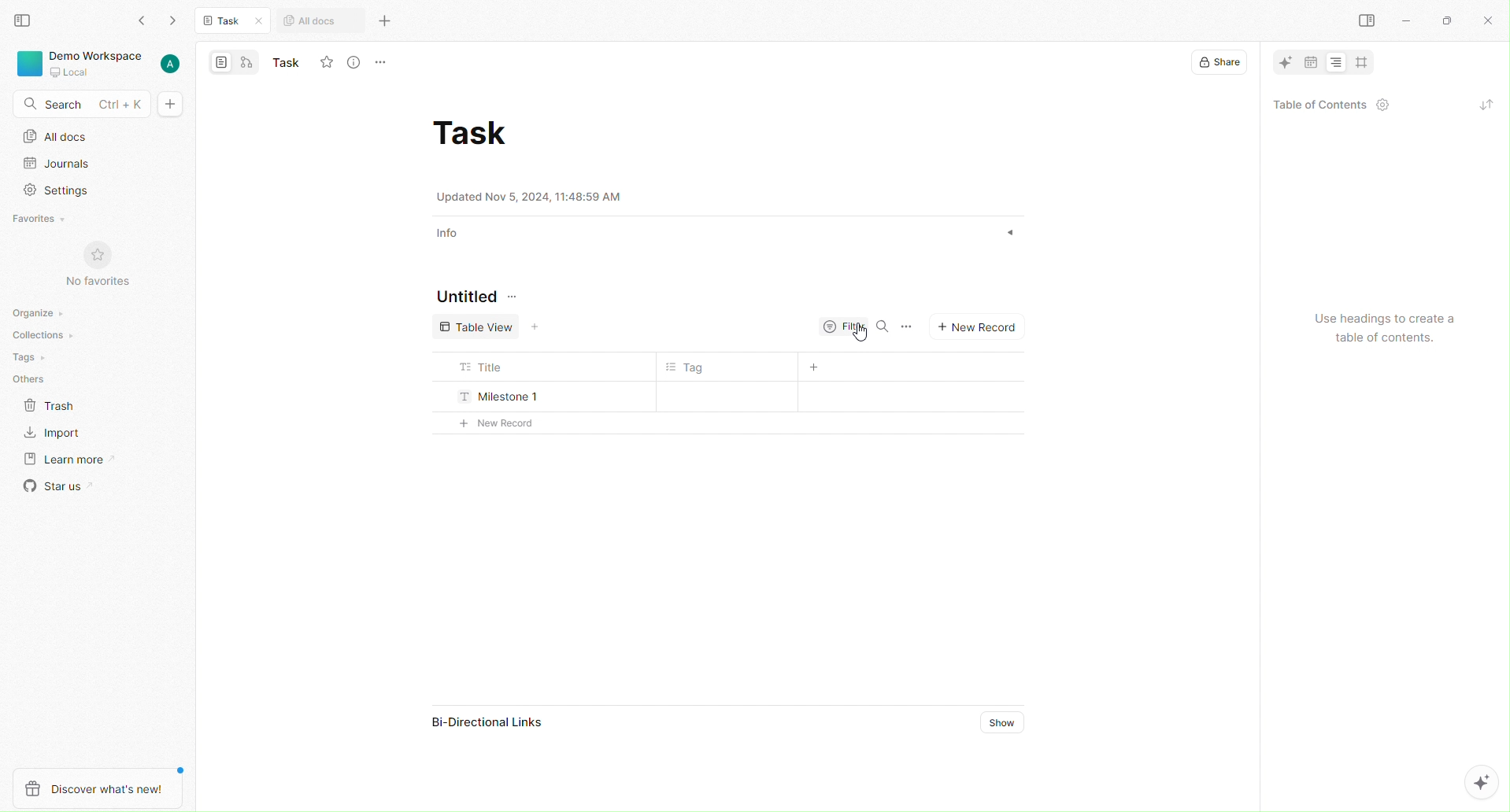 The width and height of the screenshot is (1510, 812). I want to click on Workspace, local, so click(82, 64).